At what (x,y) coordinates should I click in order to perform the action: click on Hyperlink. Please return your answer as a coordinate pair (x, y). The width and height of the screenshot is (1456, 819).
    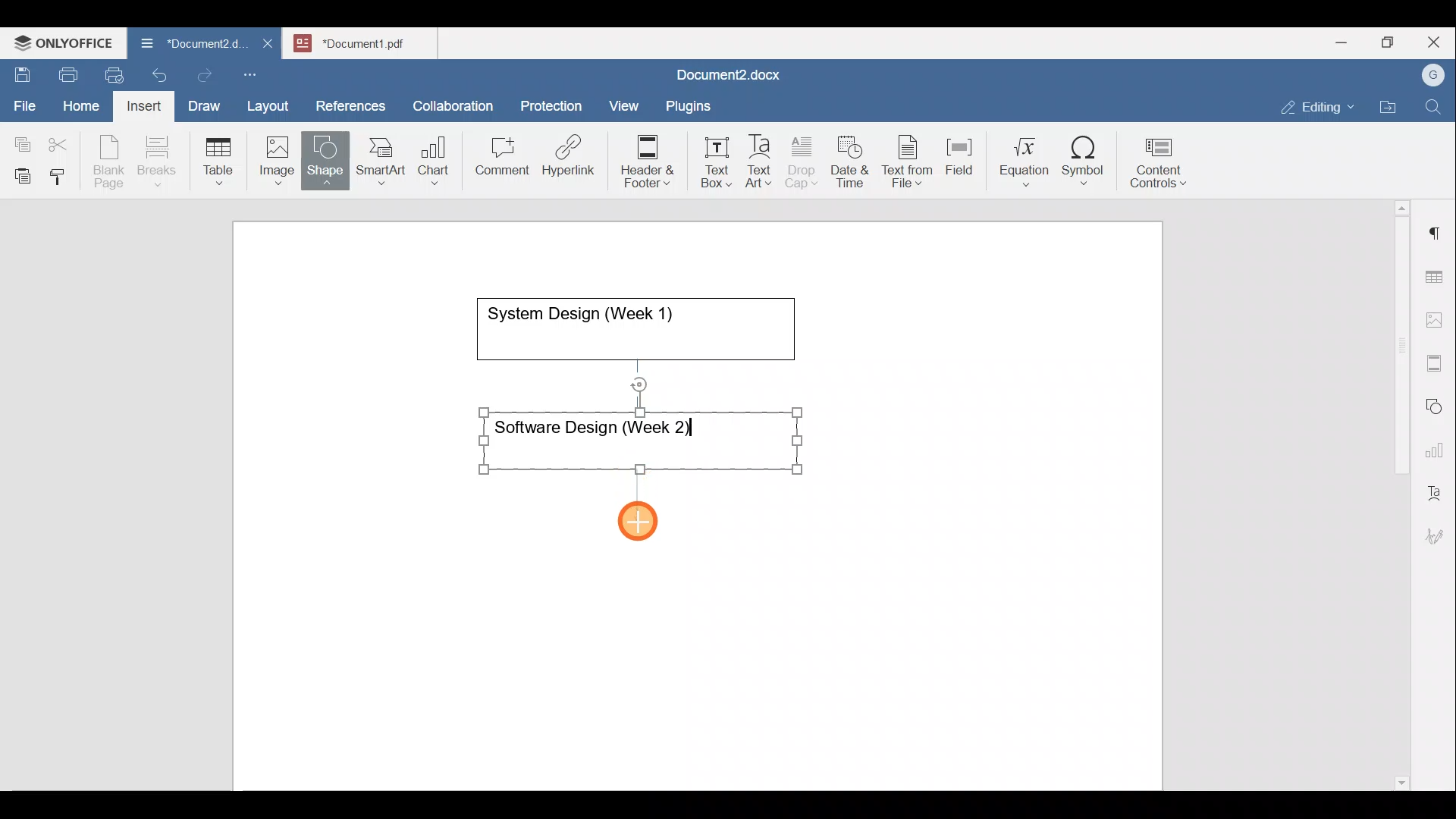
    Looking at the image, I should click on (573, 160).